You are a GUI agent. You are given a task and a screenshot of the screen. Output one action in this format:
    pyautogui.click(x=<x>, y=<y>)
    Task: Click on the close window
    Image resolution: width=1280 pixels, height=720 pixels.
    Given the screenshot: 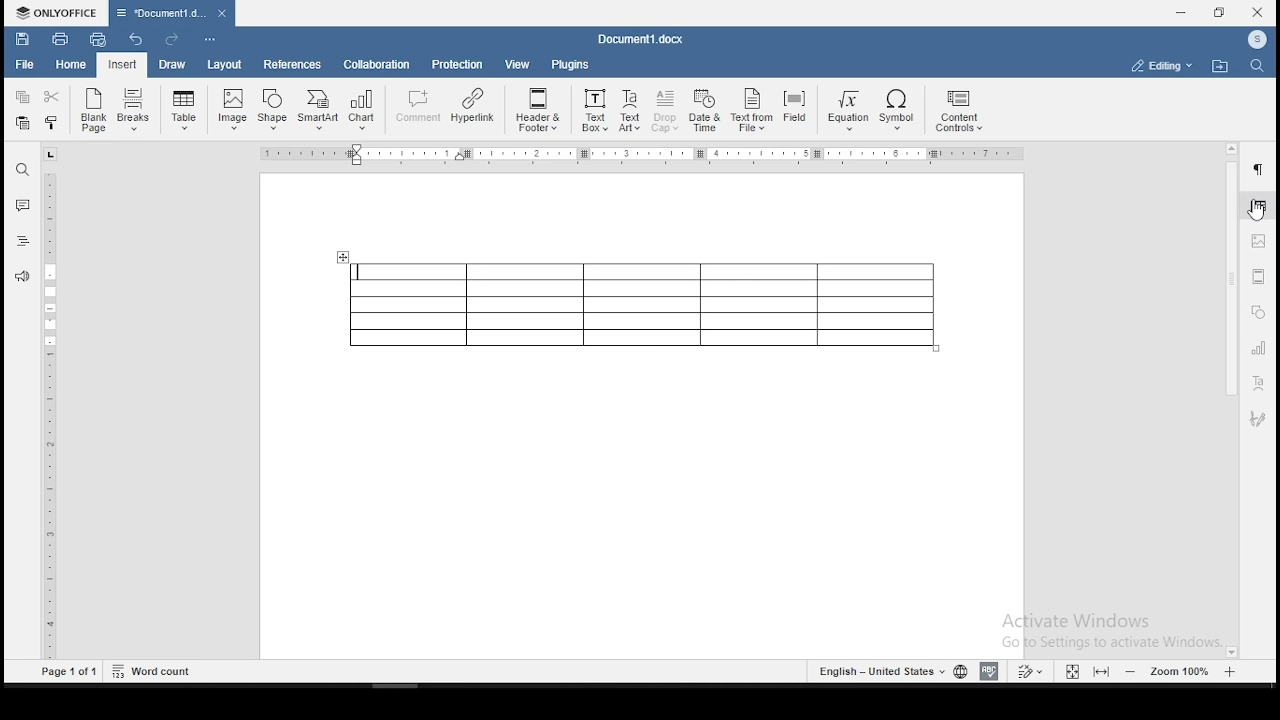 What is the action you would take?
    pyautogui.click(x=1257, y=13)
    